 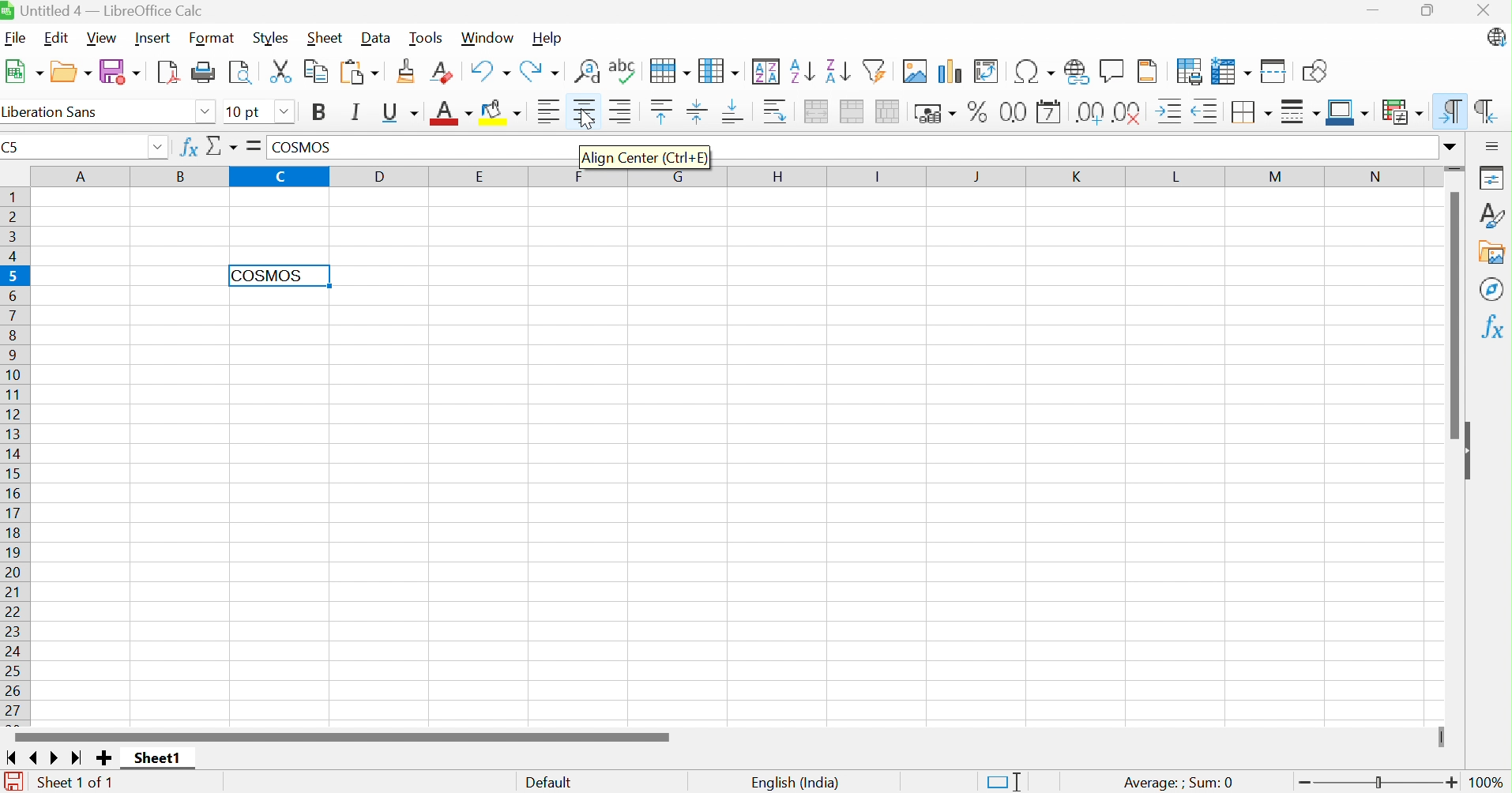 I want to click on Function Wizard, so click(x=188, y=147).